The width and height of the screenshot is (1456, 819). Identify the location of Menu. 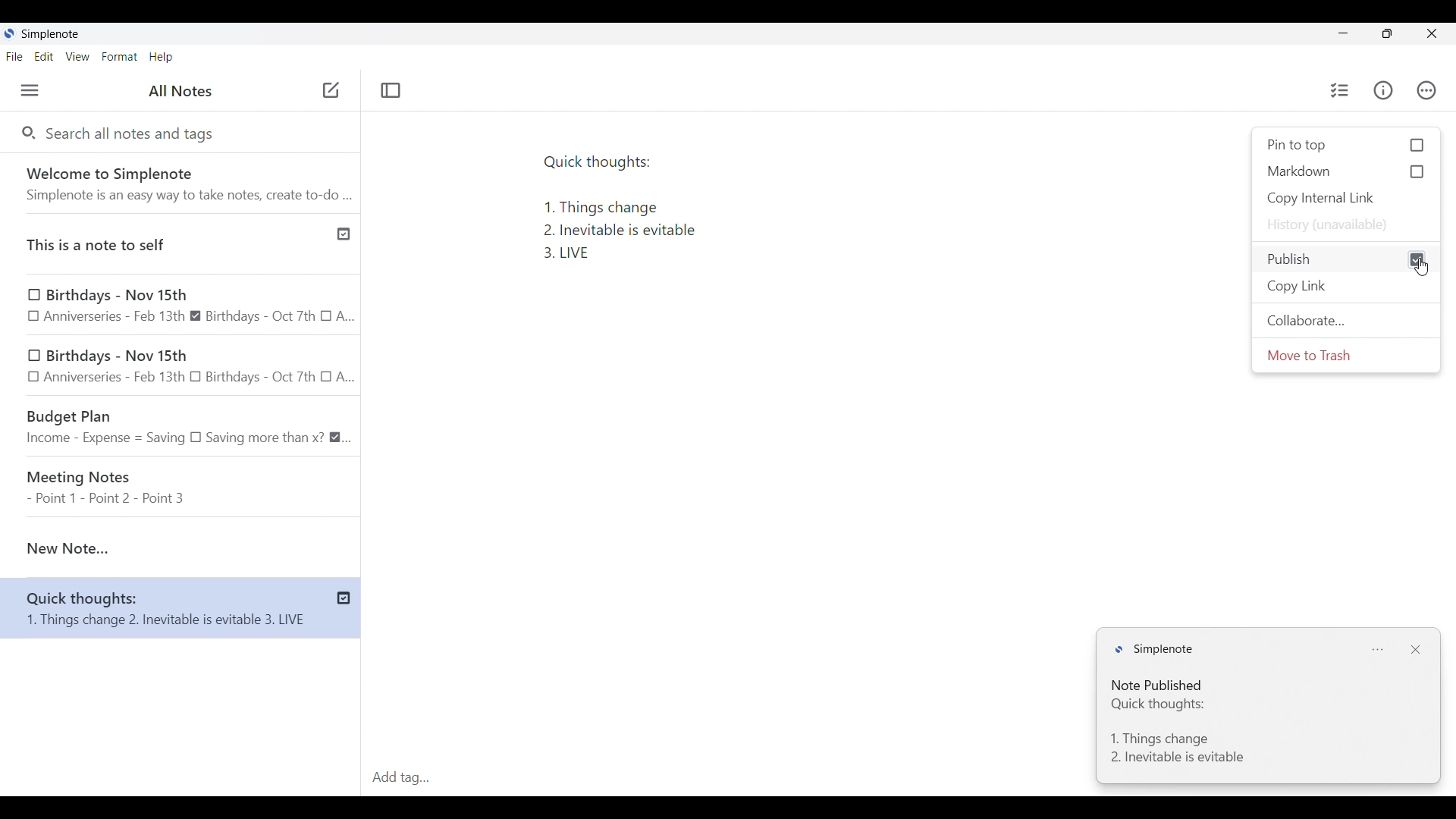
(30, 90).